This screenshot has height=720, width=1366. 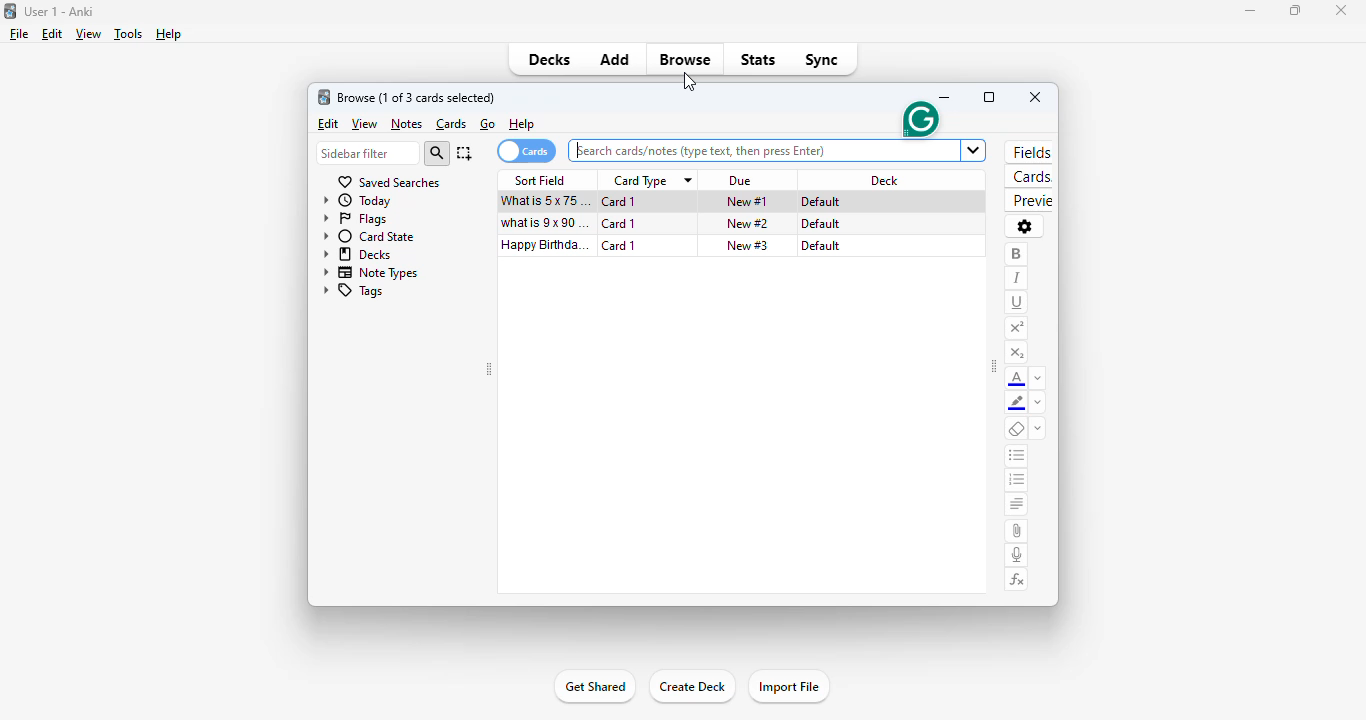 What do you see at coordinates (354, 220) in the screenshot?
I see `flags` at bounding box center [354, 220].